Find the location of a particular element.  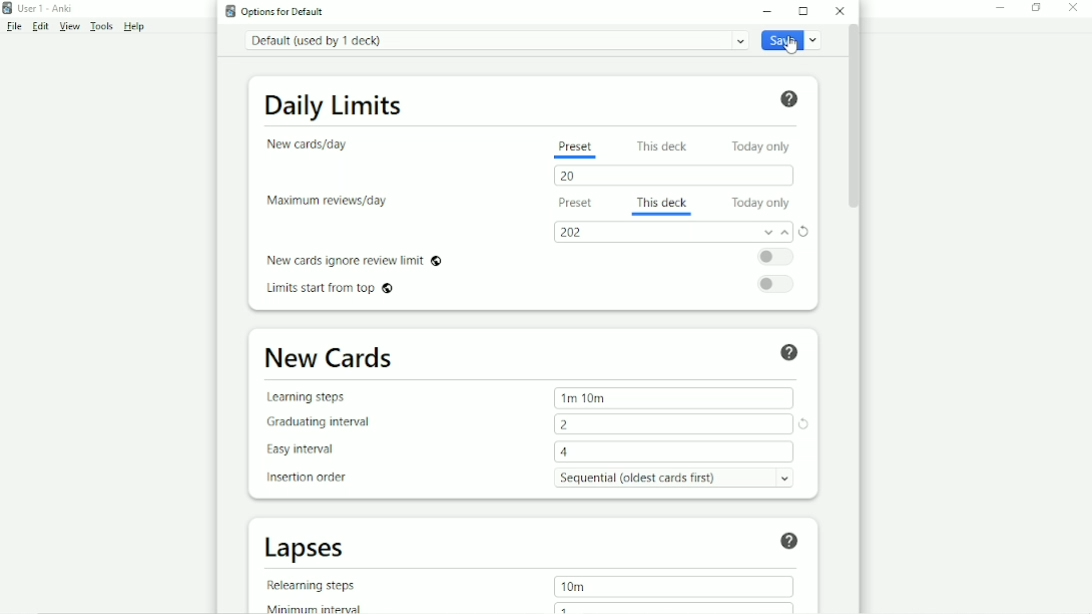

Restore down is located at coordinates (1035, 7).